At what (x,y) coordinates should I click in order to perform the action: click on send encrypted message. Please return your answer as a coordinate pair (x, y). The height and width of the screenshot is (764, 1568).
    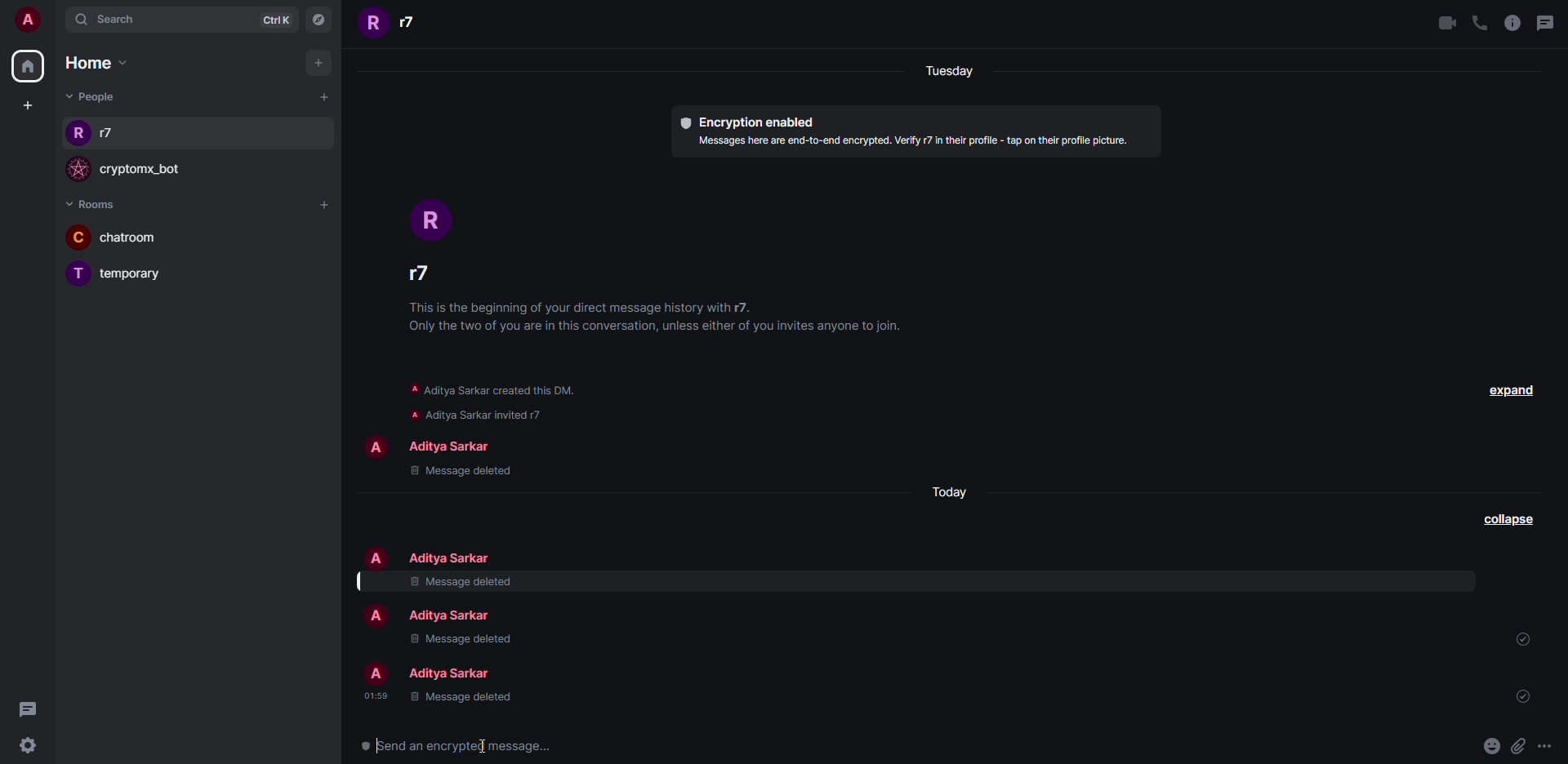
    Looking at the image, I should click on (448, 745).